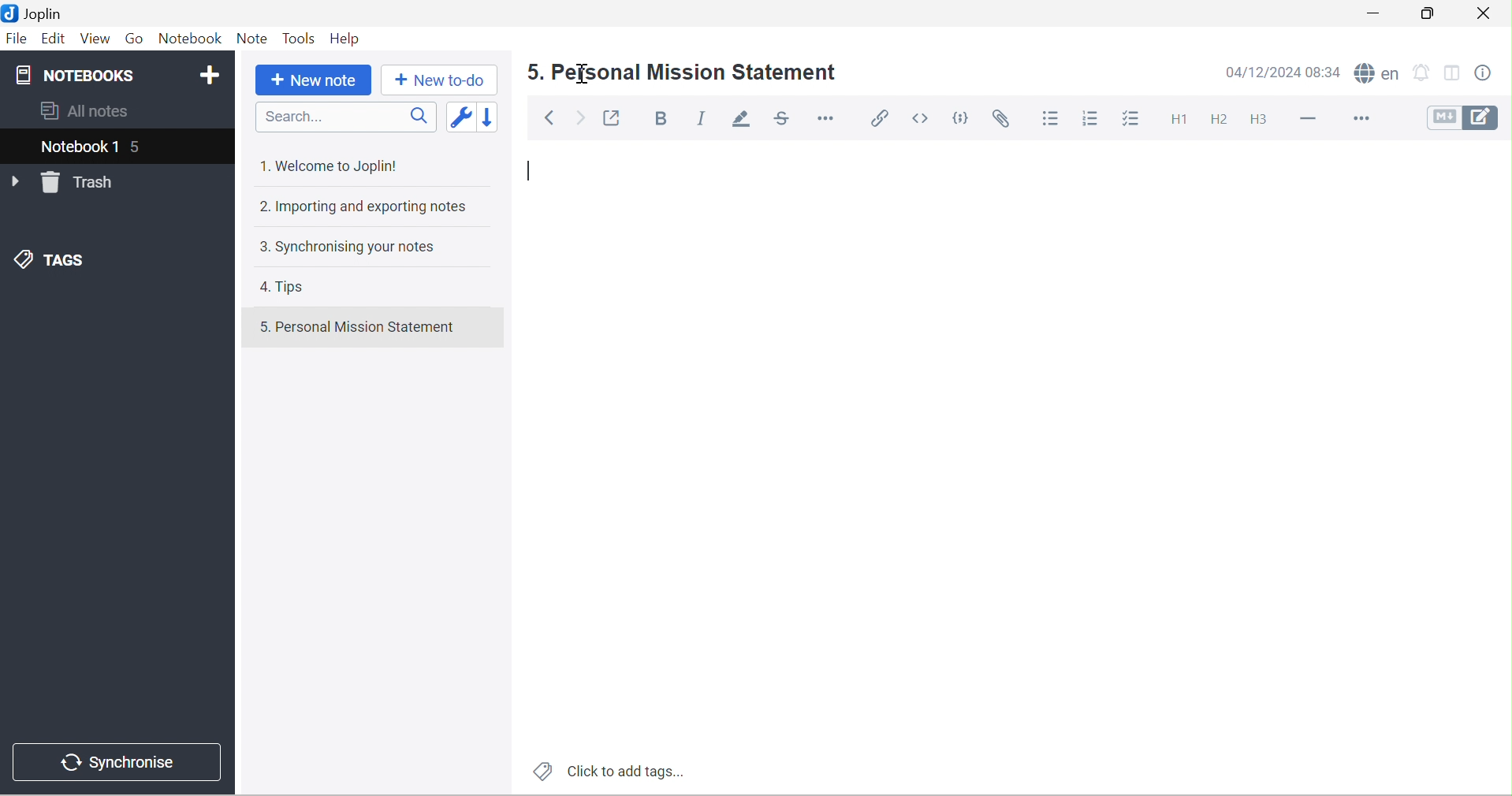 This screenshot has height=796, width=1512. Describe the element at coordinates (253, 38) in the screenshot. I see `Note` at that location.